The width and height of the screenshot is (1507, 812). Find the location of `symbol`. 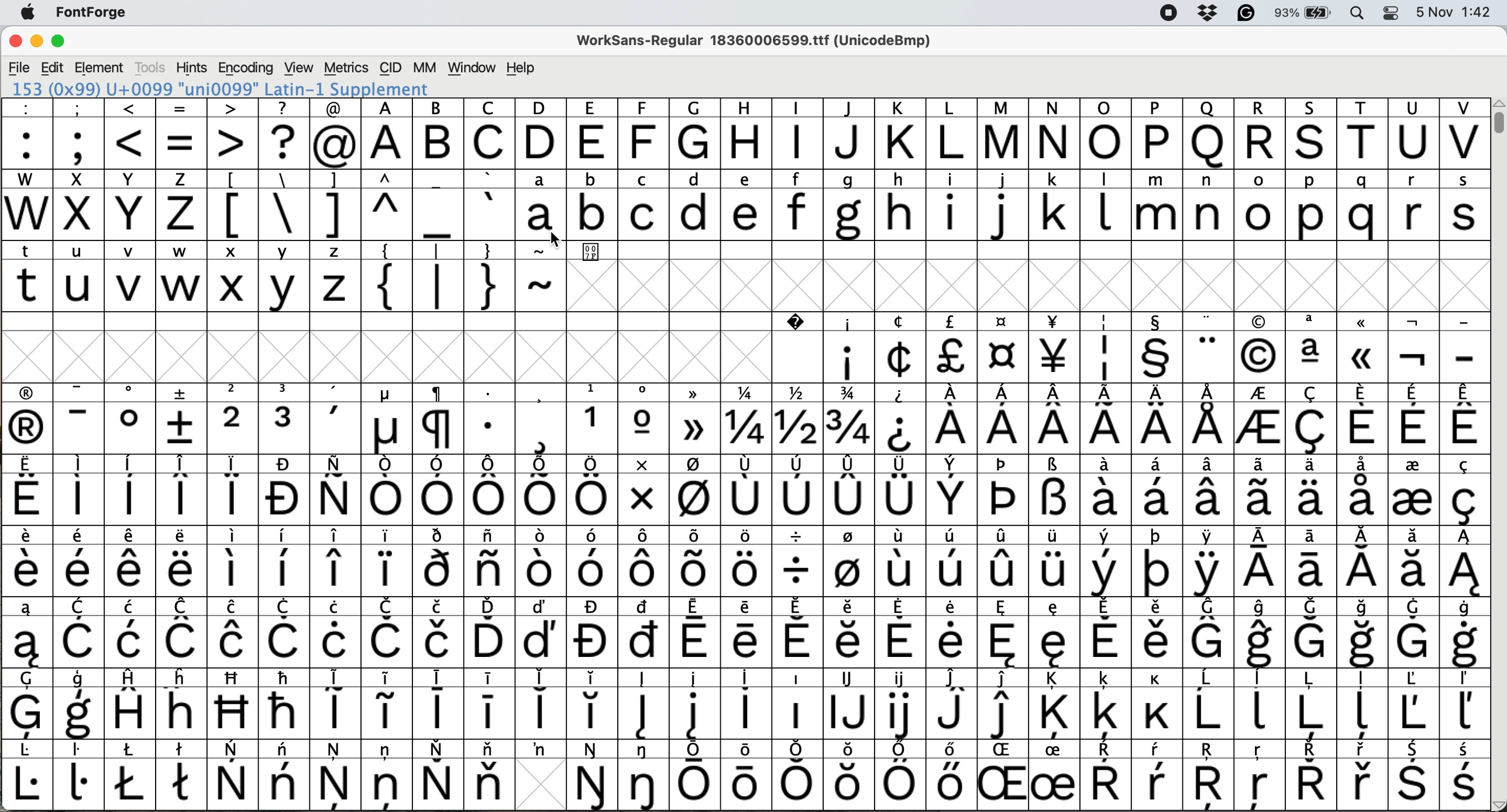

symbol is located at coordinates (1105, 776).